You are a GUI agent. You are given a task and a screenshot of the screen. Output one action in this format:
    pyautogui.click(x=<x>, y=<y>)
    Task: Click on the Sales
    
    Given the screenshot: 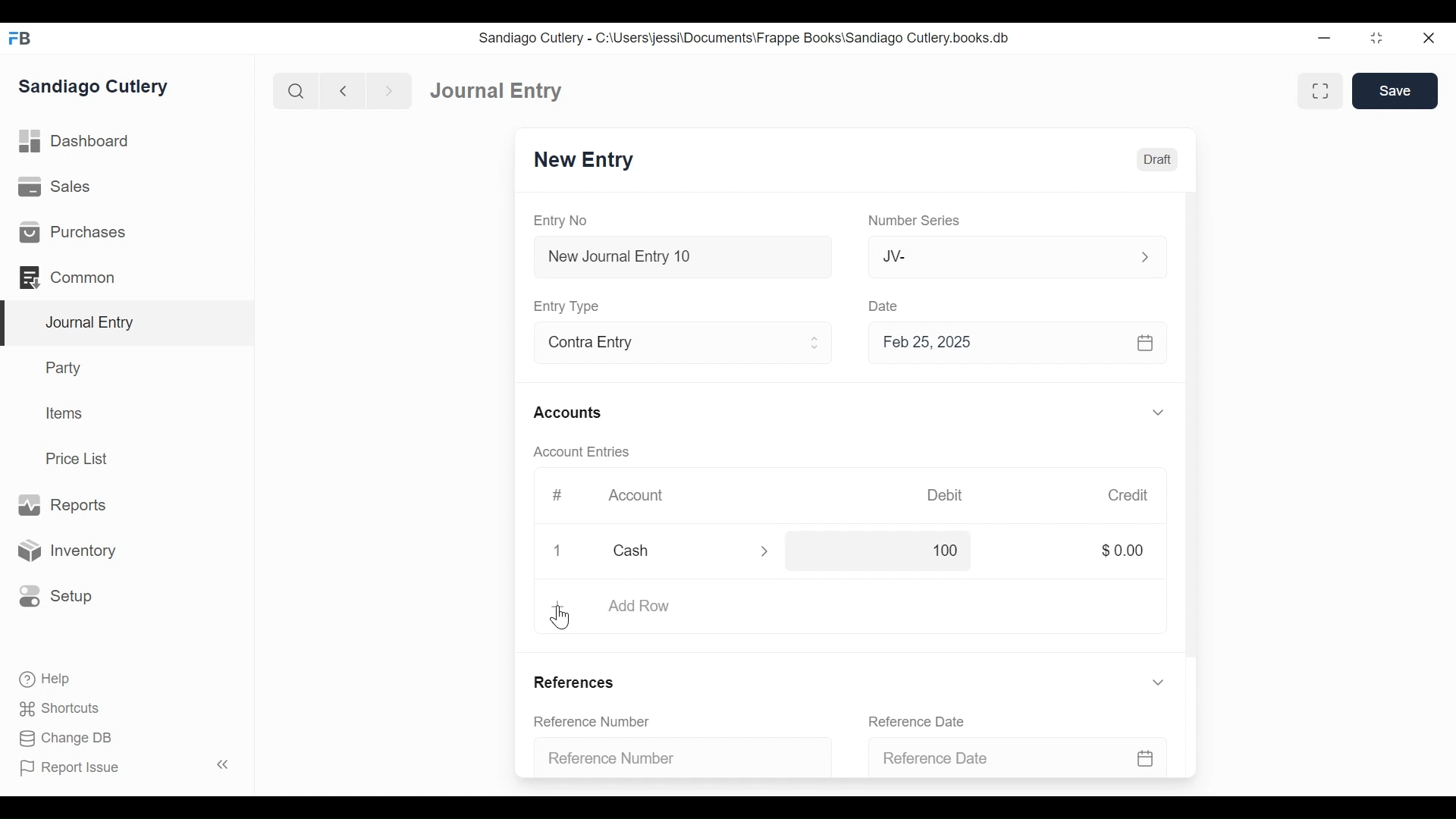 What is the action you would take?
    pyautogui.click(x=53, y=188)
    